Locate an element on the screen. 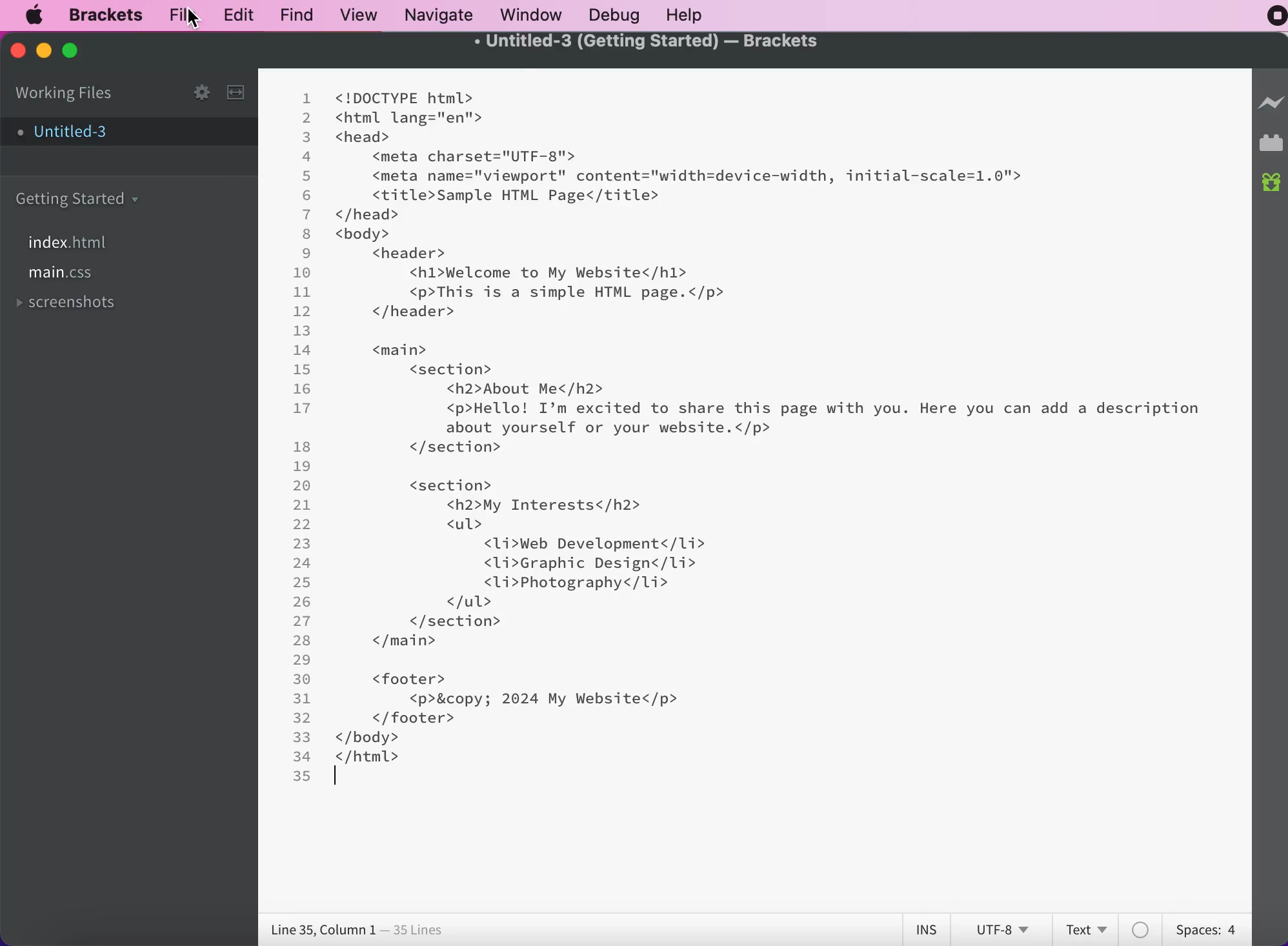 This screenshot has height=946, width=1288. getting started carpet is located at coordinates (81, 201).